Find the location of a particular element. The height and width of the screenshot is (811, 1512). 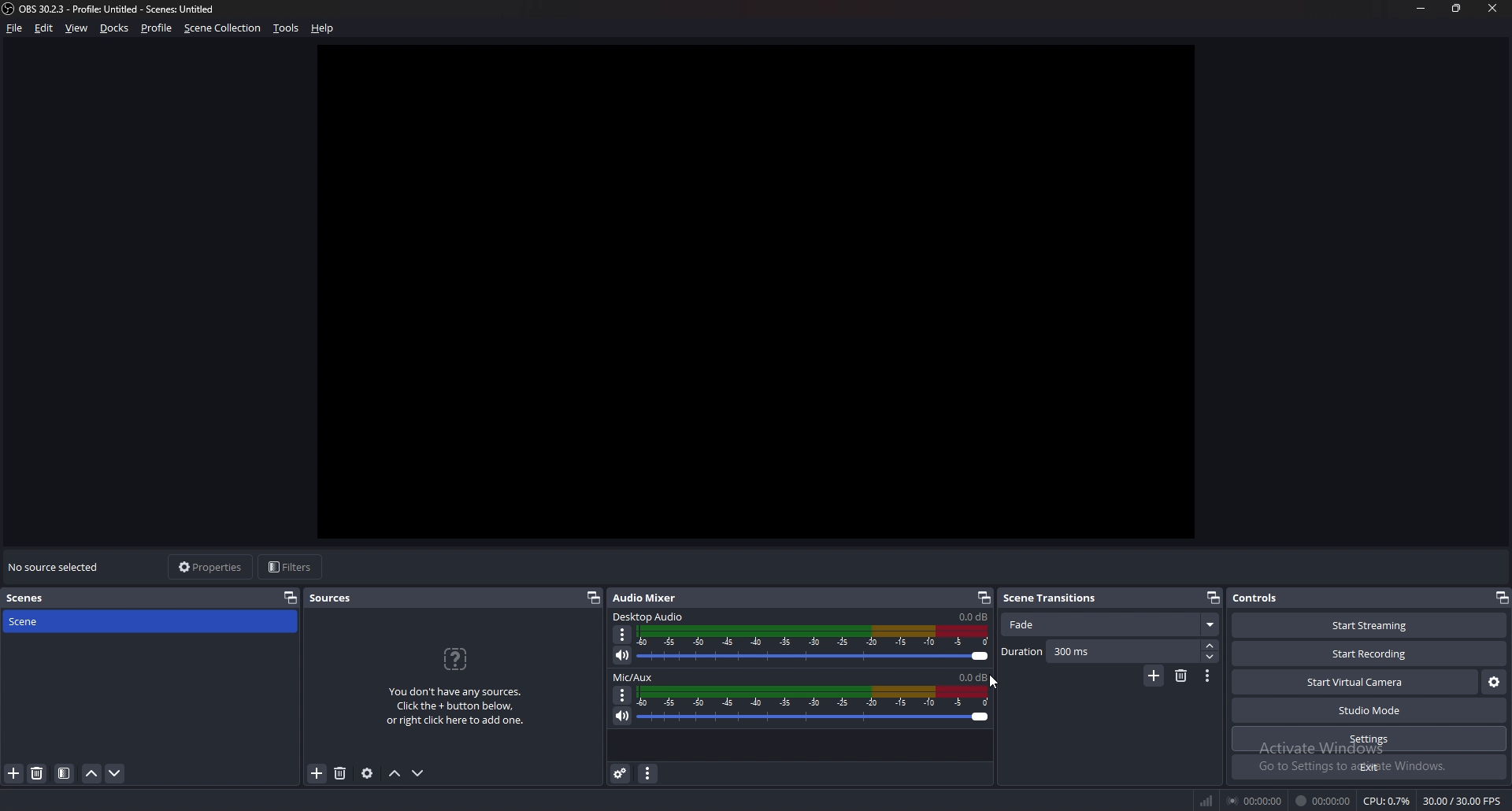

advanced audio properties is located at coordinates (622, 773).